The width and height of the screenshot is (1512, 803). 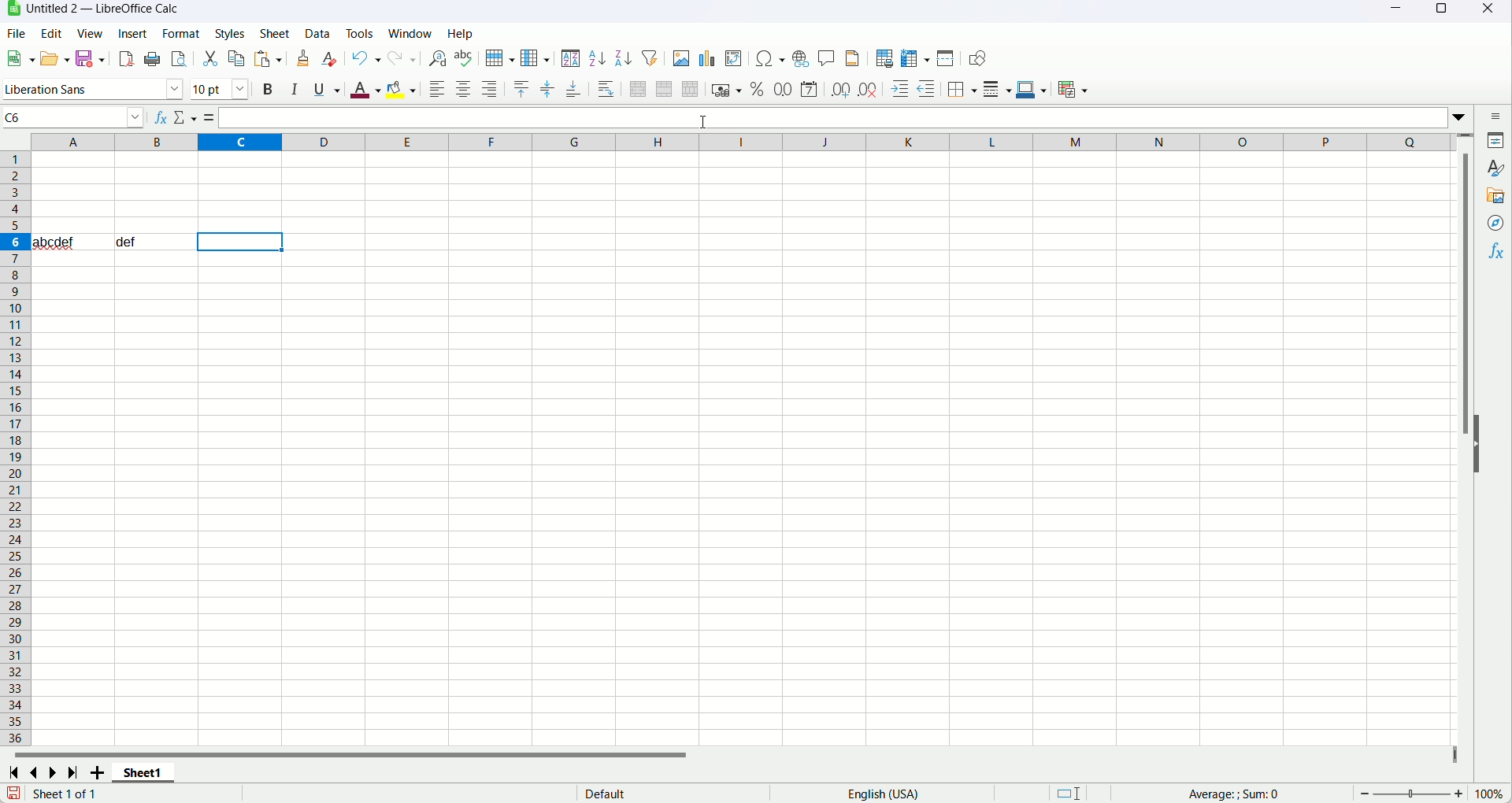 I want to click on format as percent, so click(x=758, y=88).